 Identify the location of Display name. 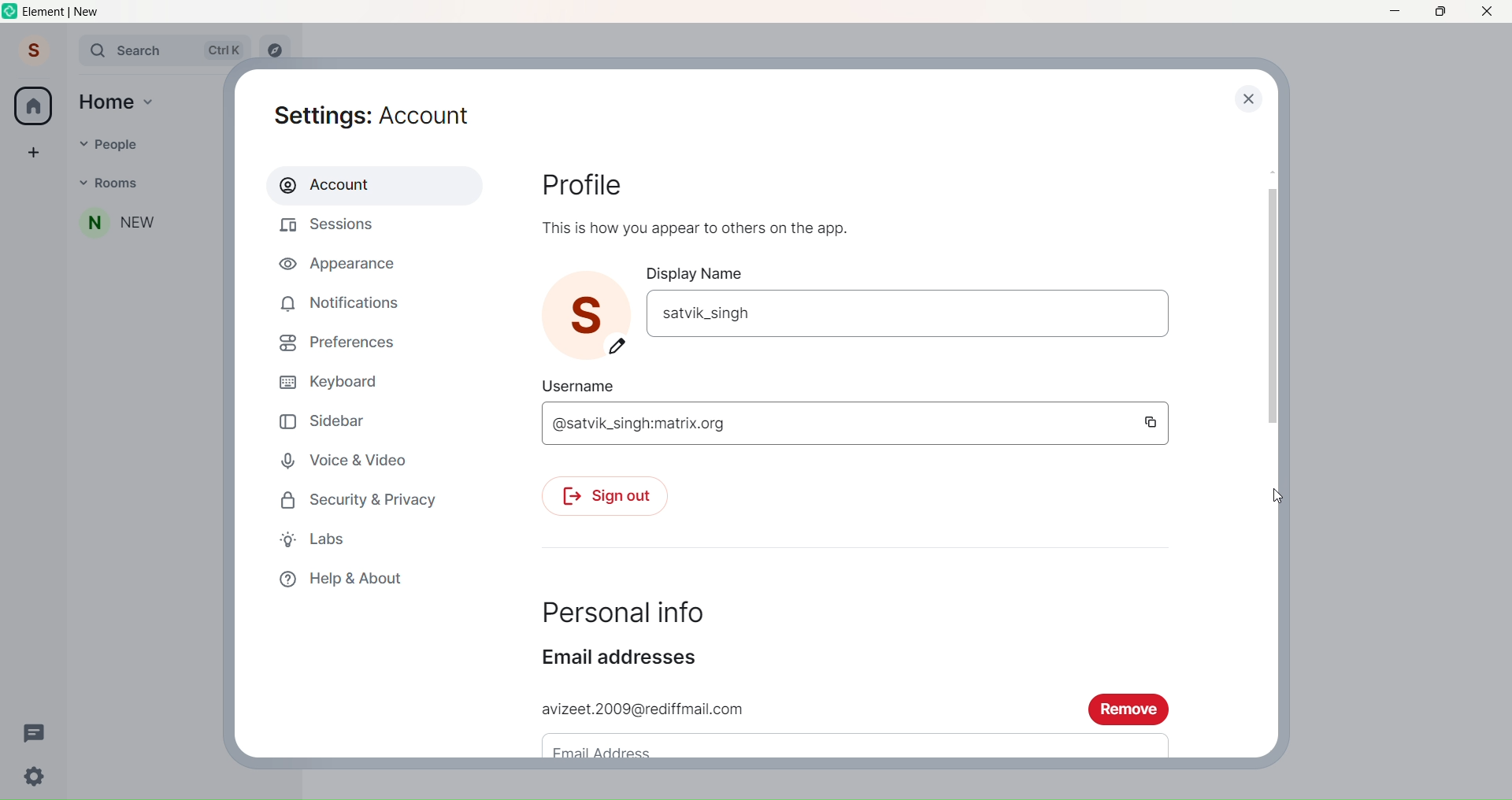
(705, 273).